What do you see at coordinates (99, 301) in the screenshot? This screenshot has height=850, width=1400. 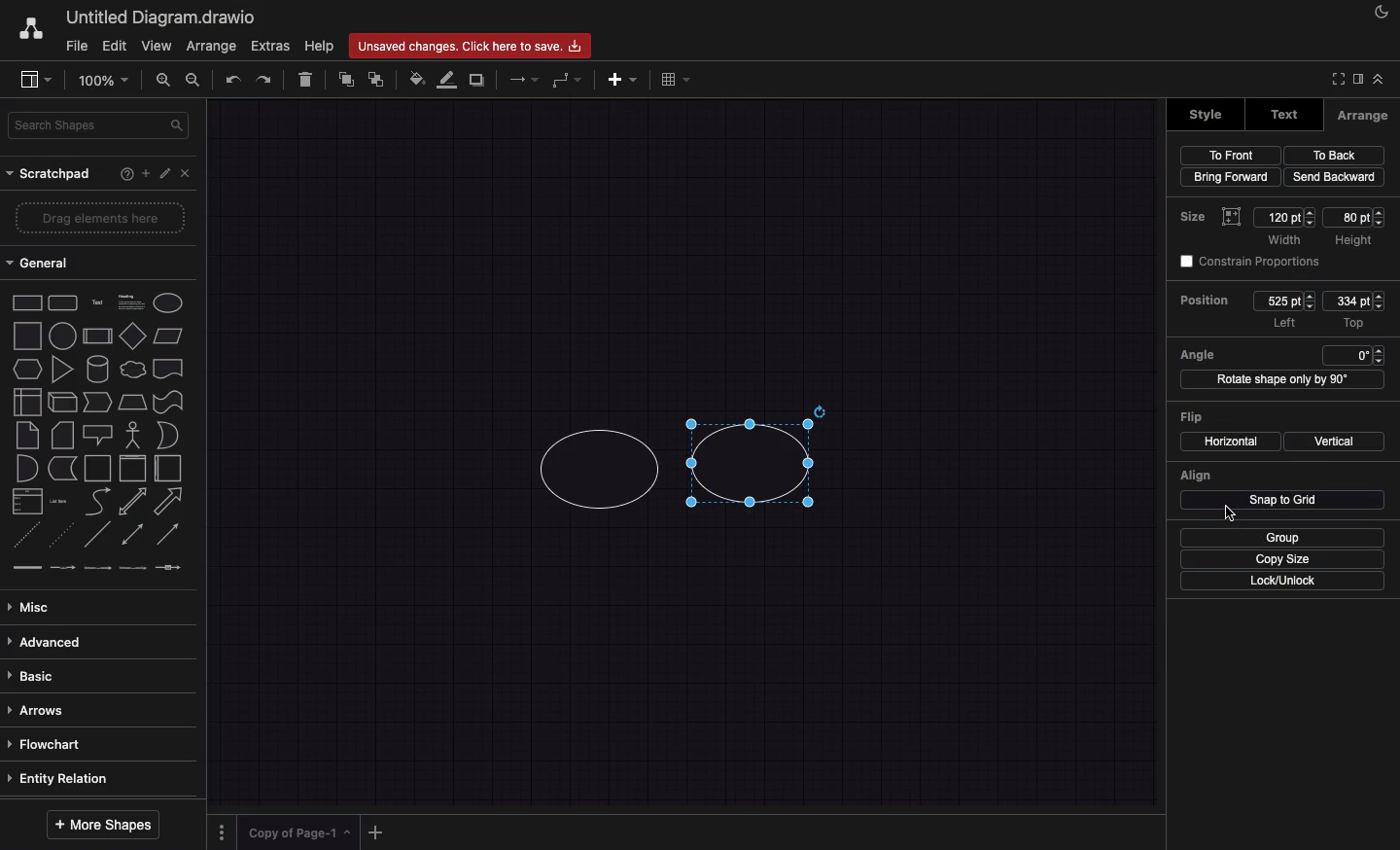 I see `text` at bounding box center [99, 301].